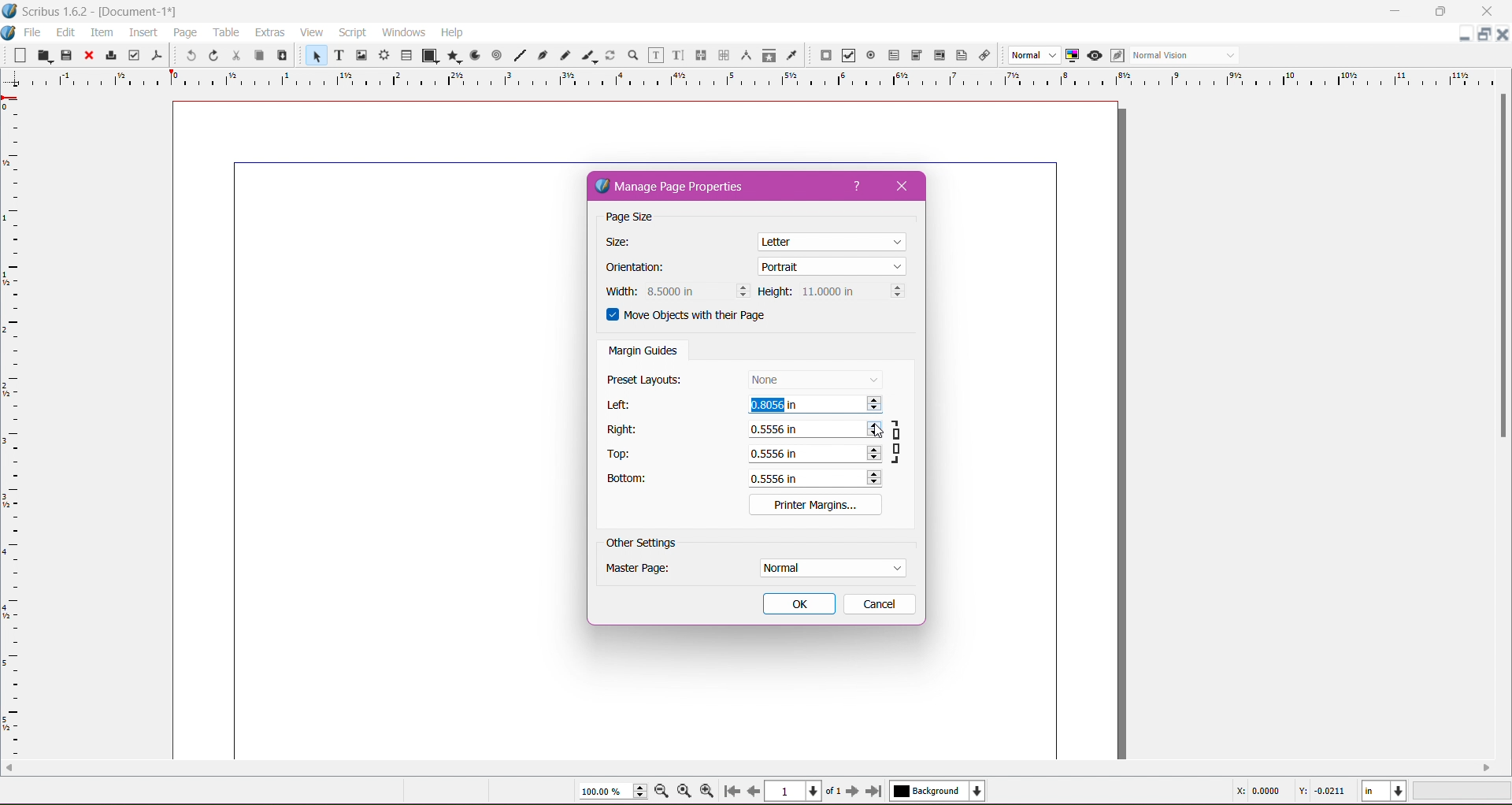 This screenshot has height=805, width=1512. What do you see at coordinates (110, 55) in the screenshot?
I see `Print` at bounding box center [110, 55].